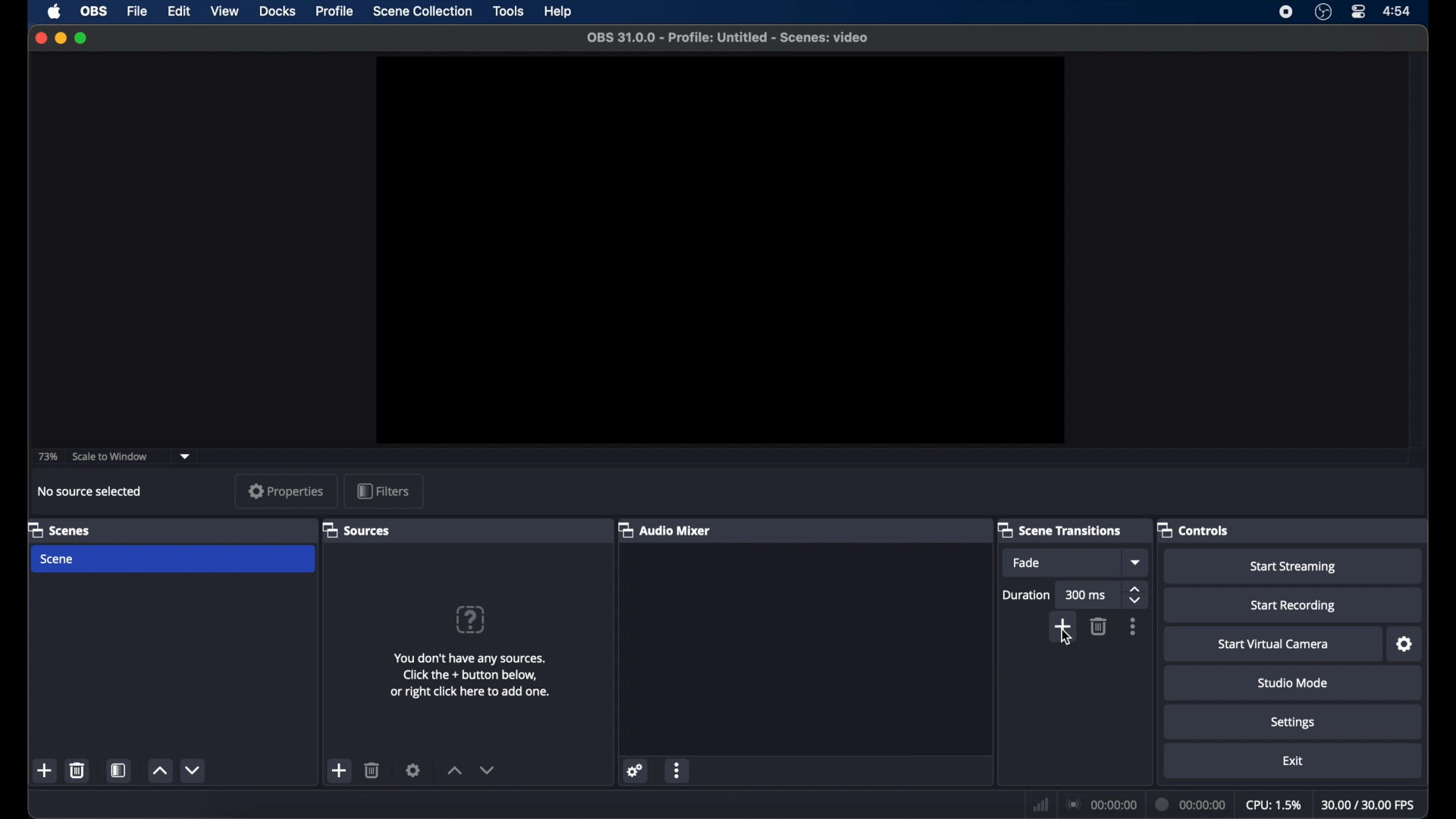  I want to click on fade, so click(1028, 563).